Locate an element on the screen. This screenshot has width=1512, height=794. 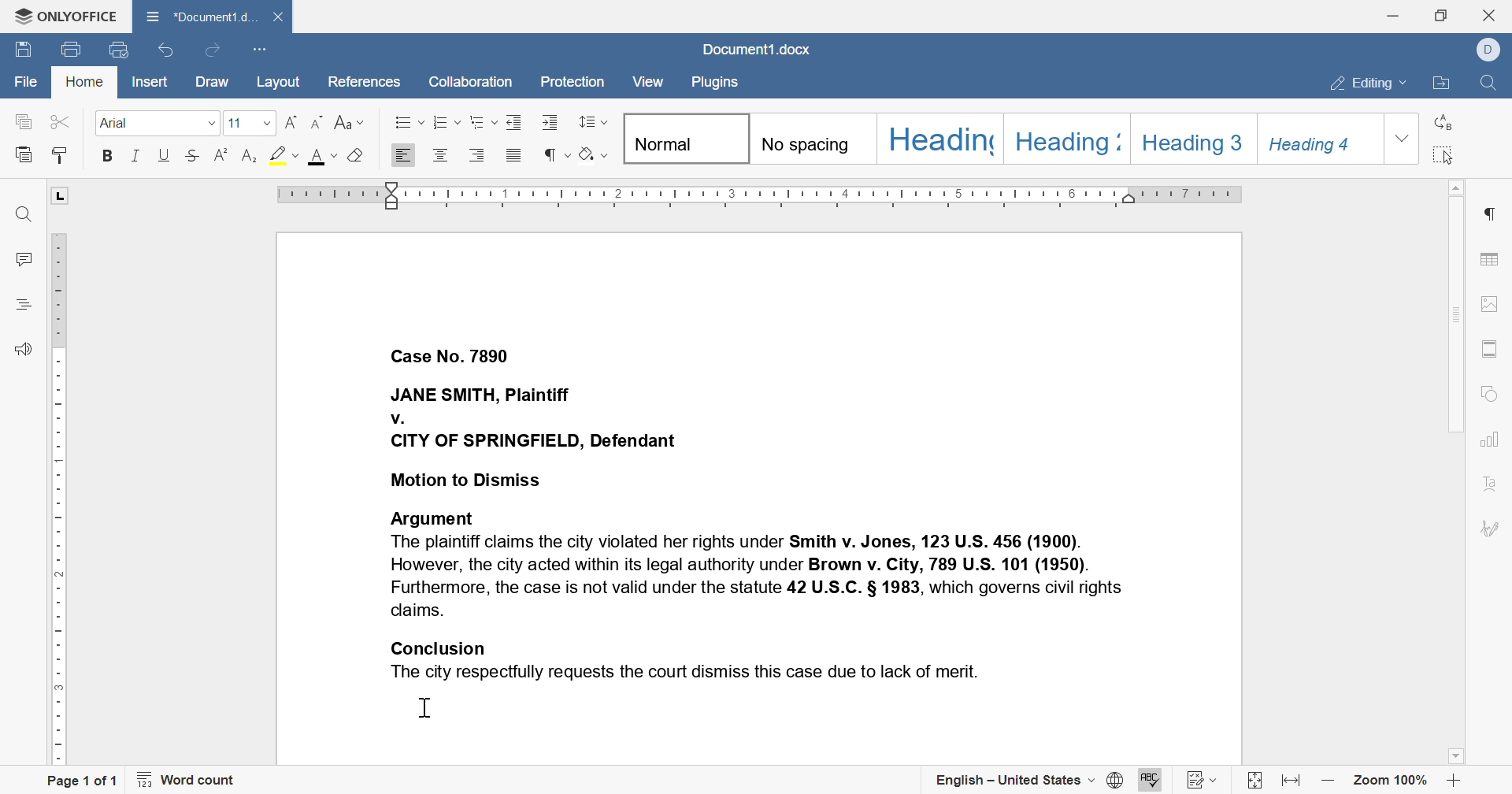
minimize is located at coordinates (1394, 15).